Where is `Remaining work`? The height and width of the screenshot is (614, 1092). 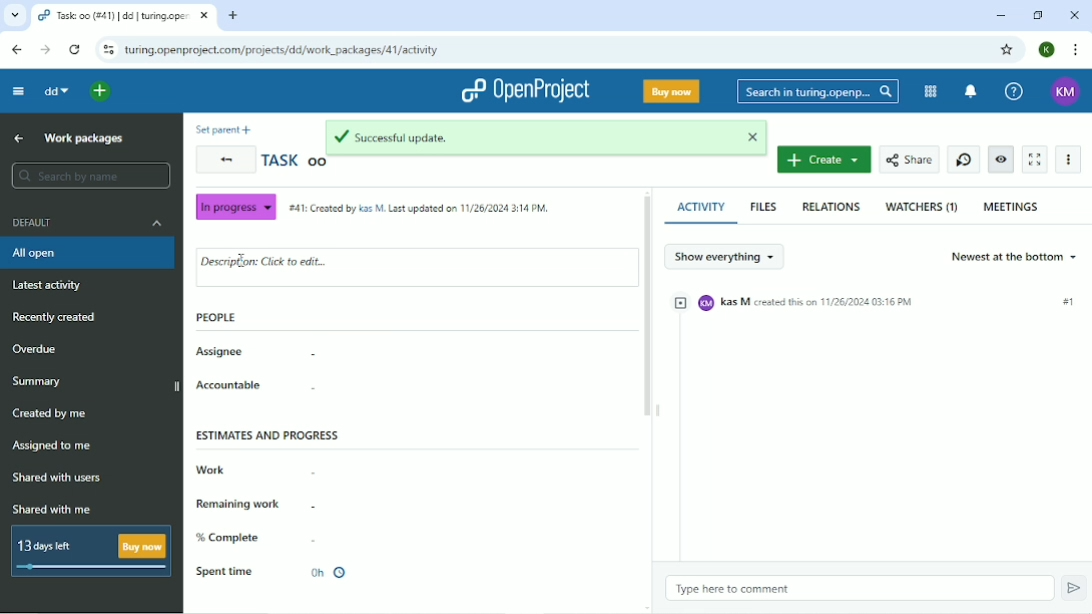 Remaining work is located at coordinates (242, 505).